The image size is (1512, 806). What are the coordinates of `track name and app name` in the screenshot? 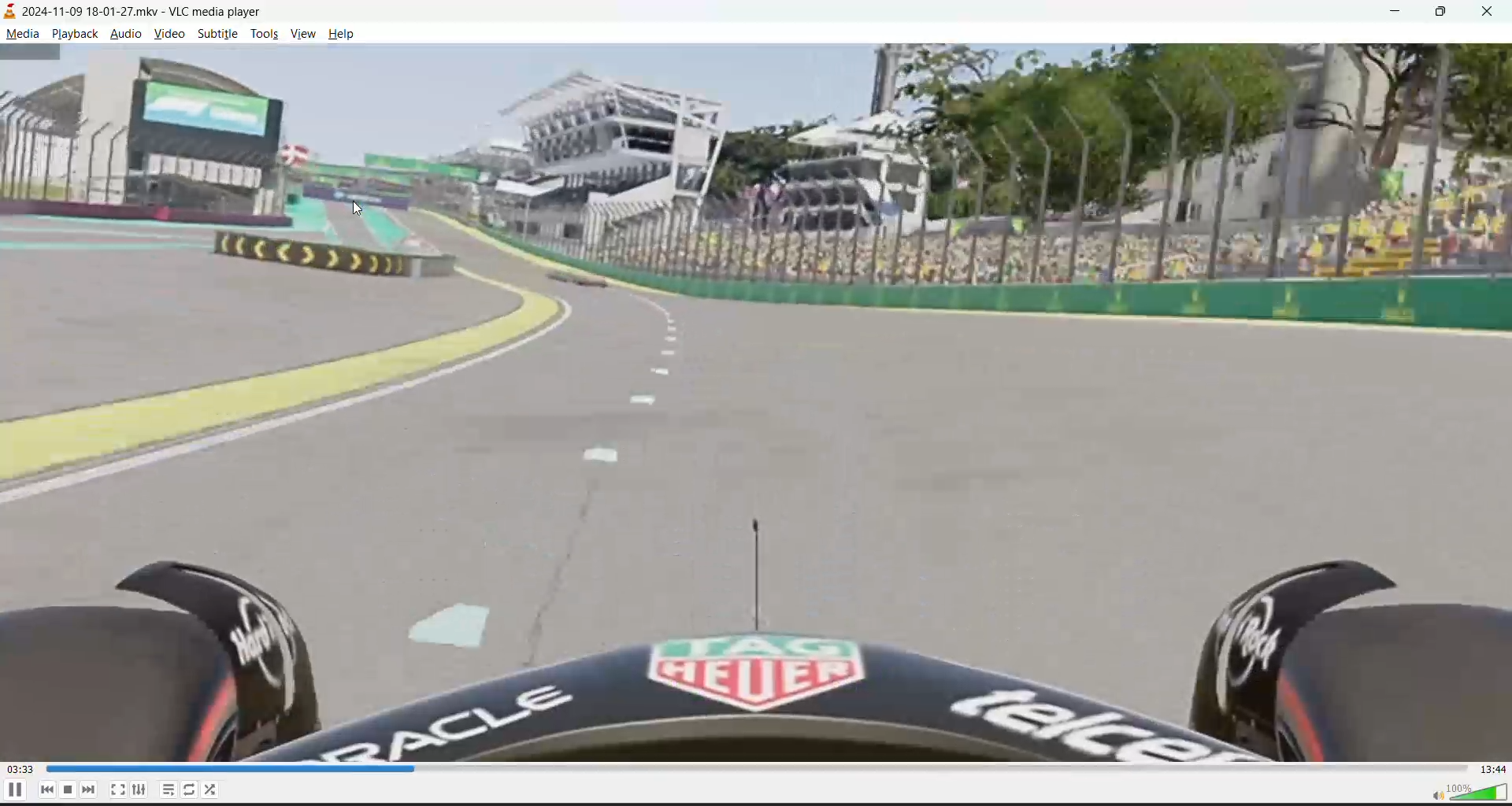 It's located at (147, 9).